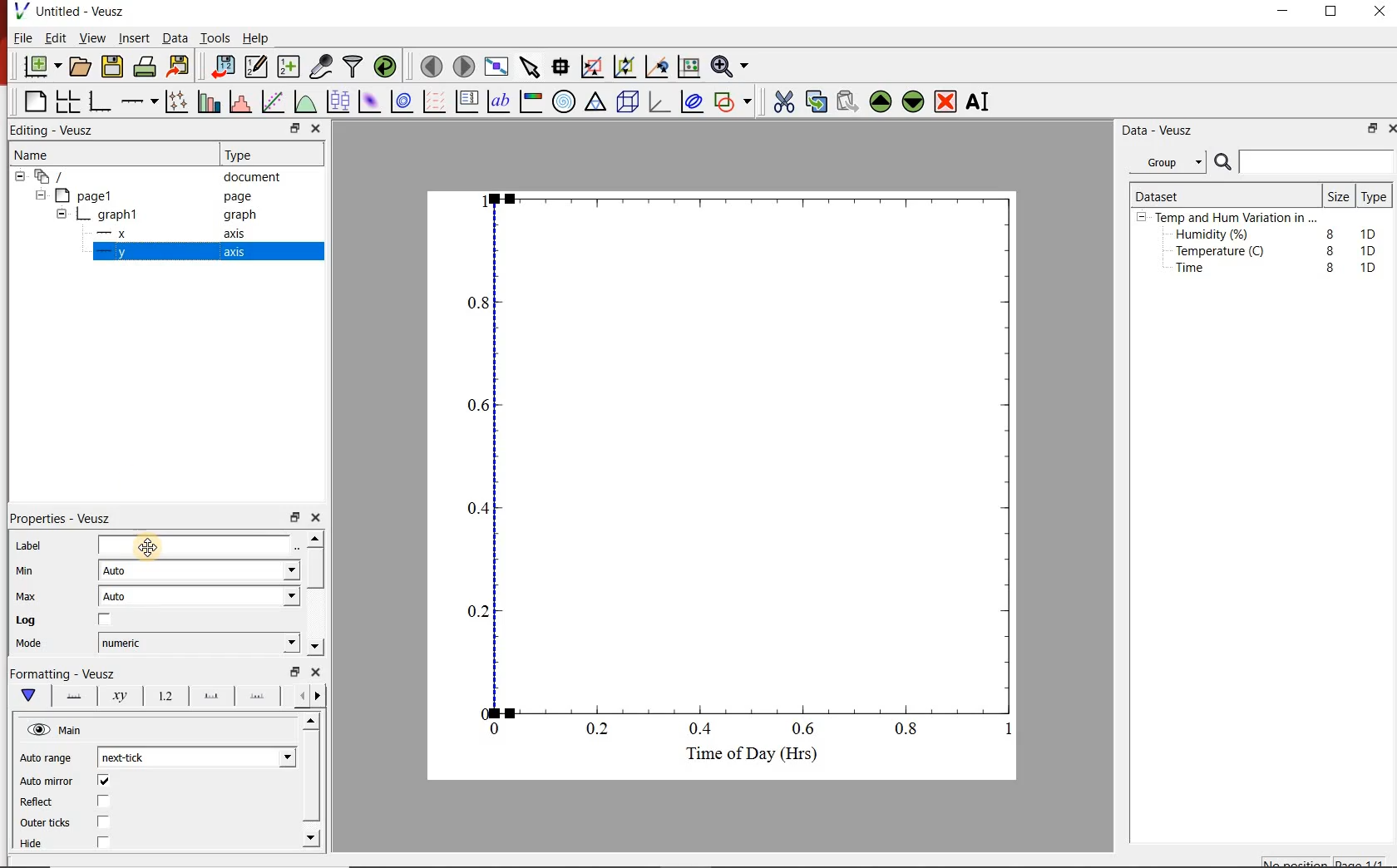  I want to click on Cursor, so click(159, 545).